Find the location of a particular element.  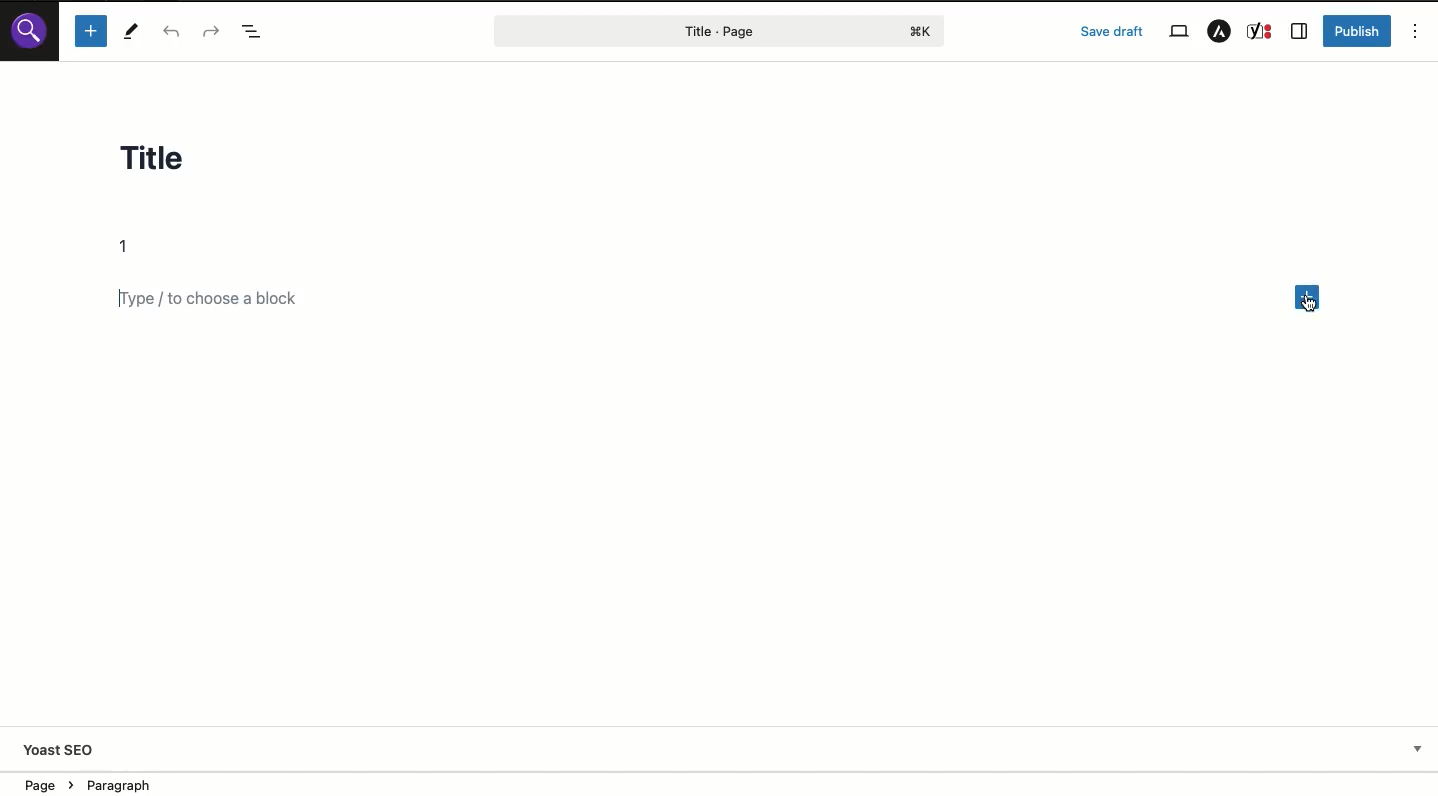

View is located at coordinates (1178, 32).